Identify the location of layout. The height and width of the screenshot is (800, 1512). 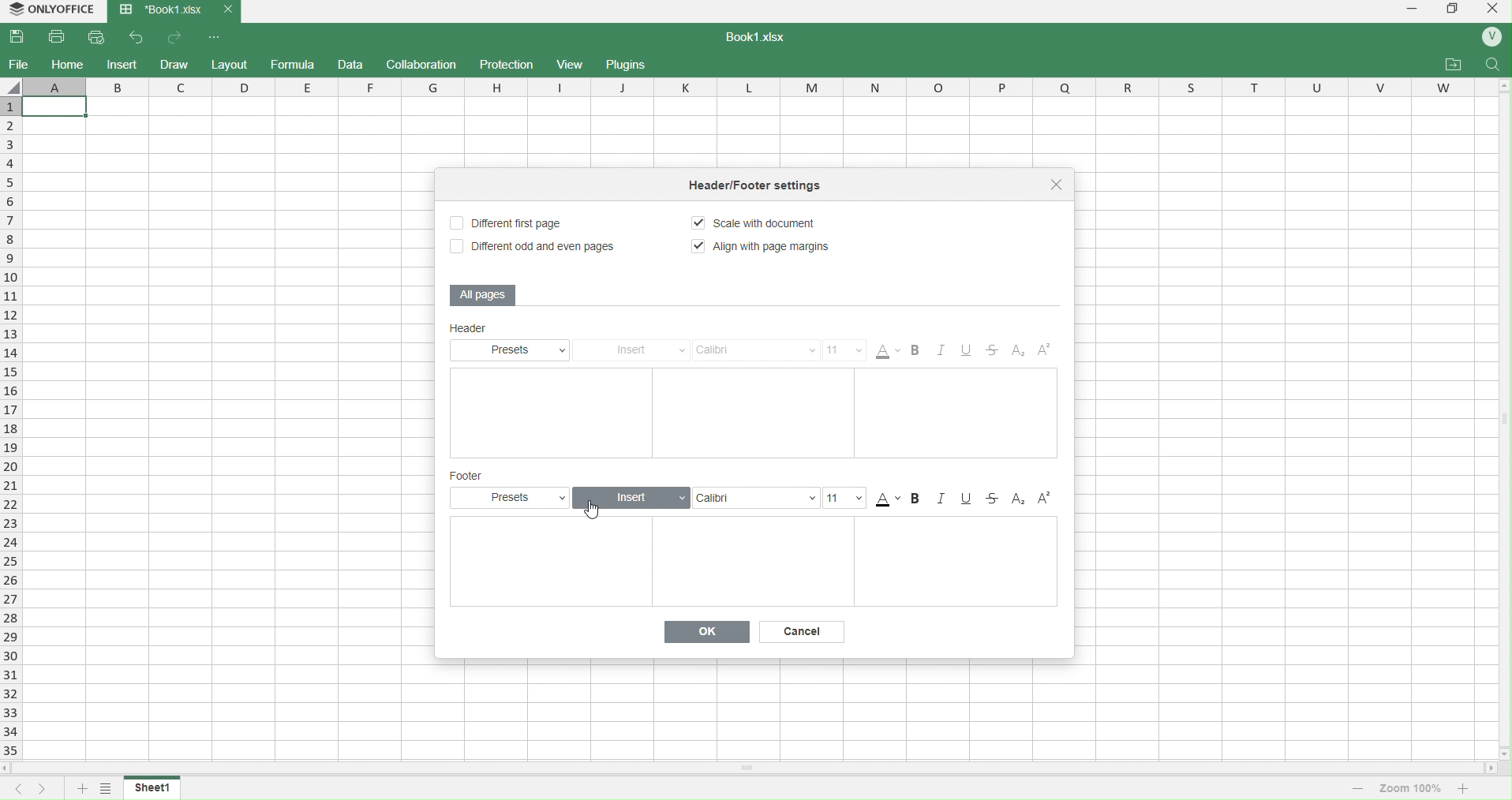
(231, 63).